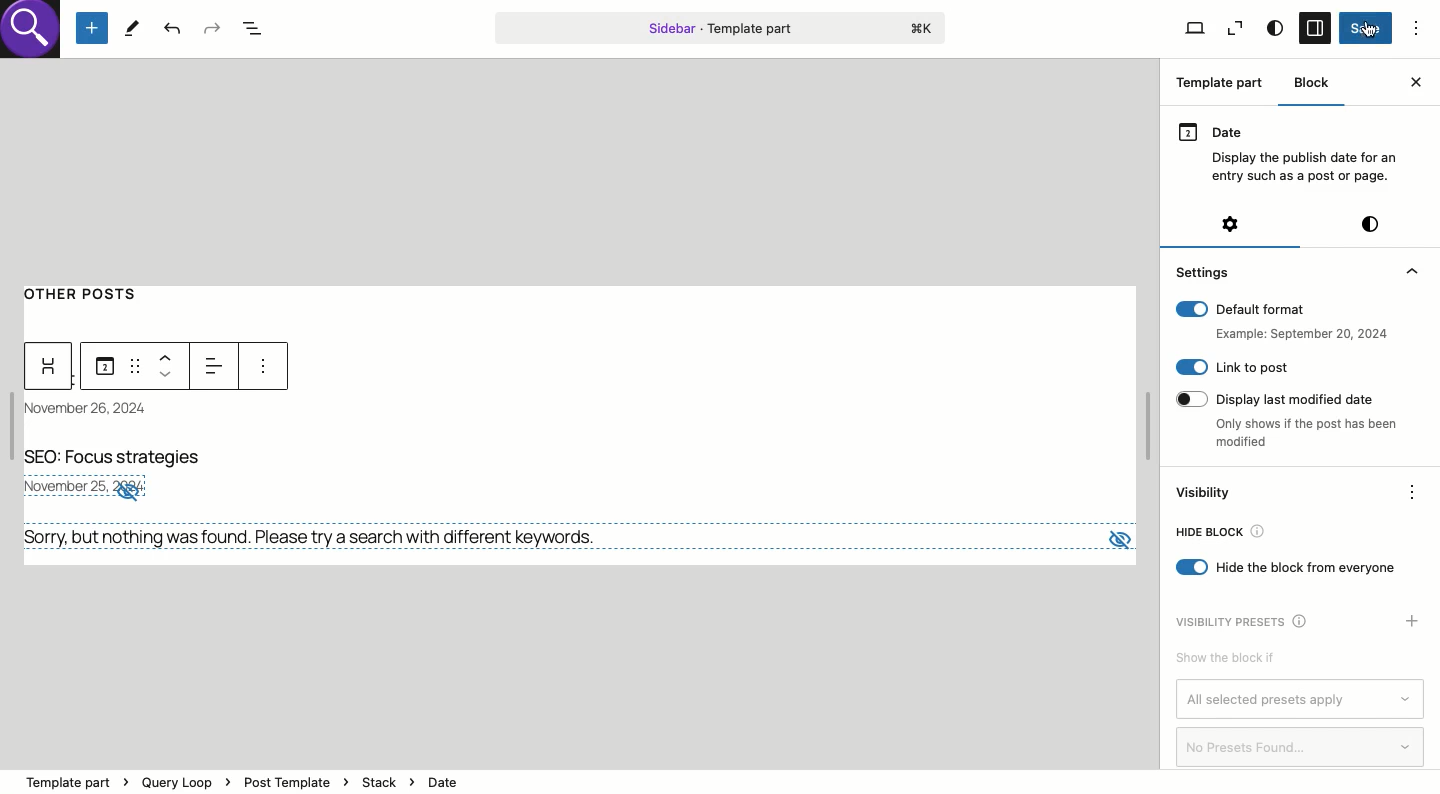 This screenshot has width=1440, height=794. Describe the element at coordinates (1206, 494) in the screenshot. I see `Visibility ` at that location.